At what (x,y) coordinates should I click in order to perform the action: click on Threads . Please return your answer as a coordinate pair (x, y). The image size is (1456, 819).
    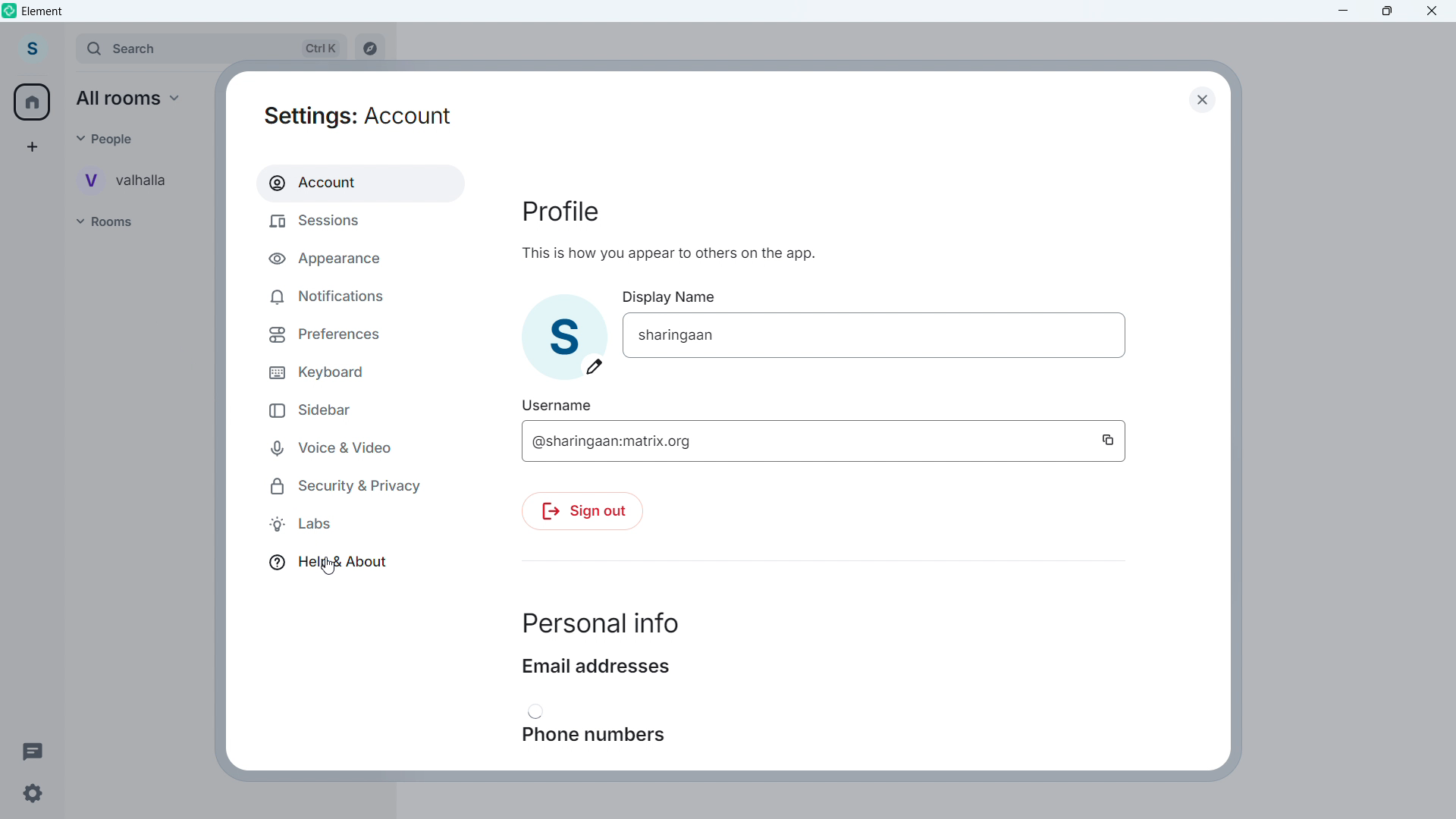
    Looking at the image, I should click on (33, 750).